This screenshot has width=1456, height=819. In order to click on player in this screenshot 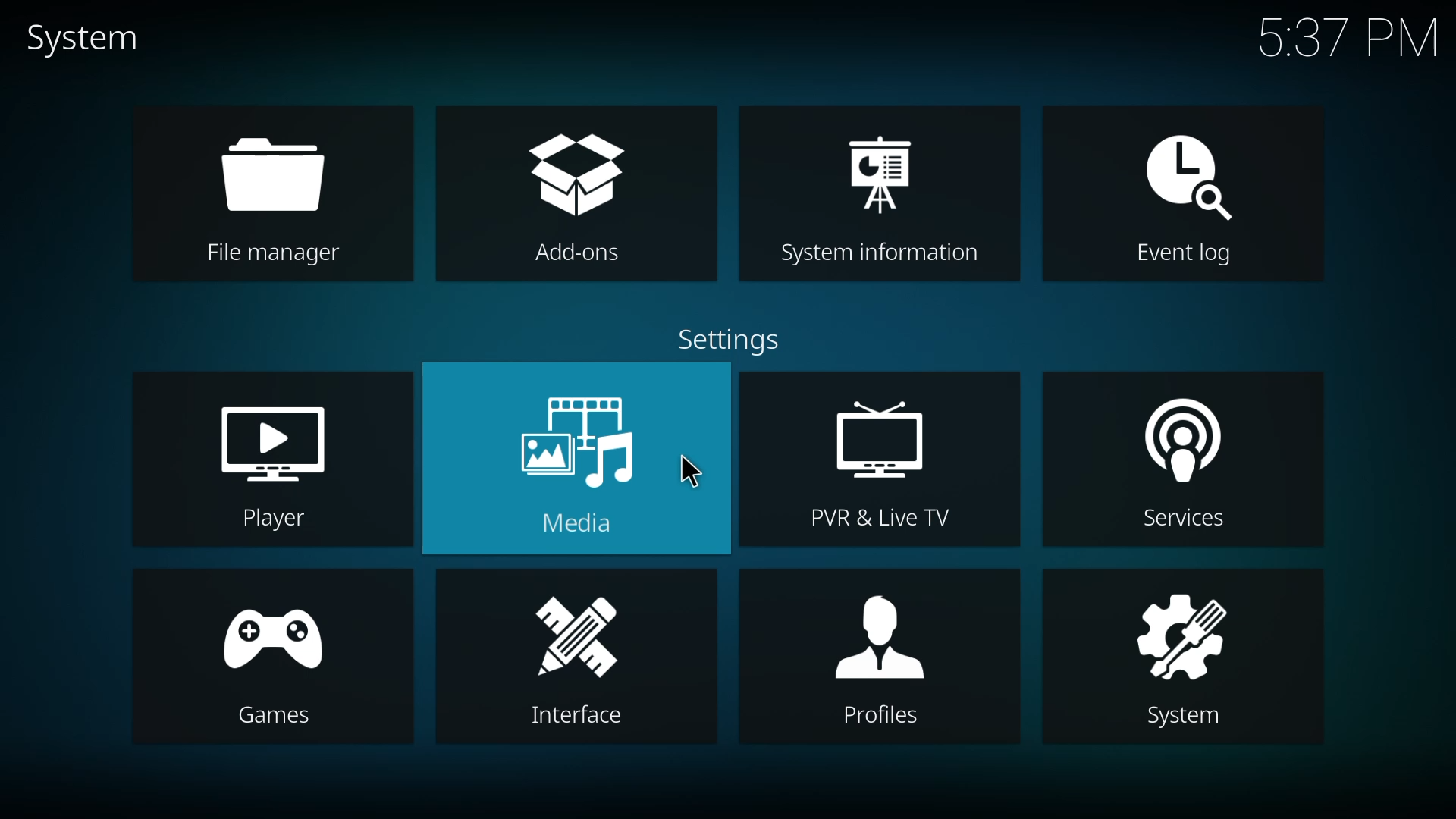, I will do `click(269, 435)`.